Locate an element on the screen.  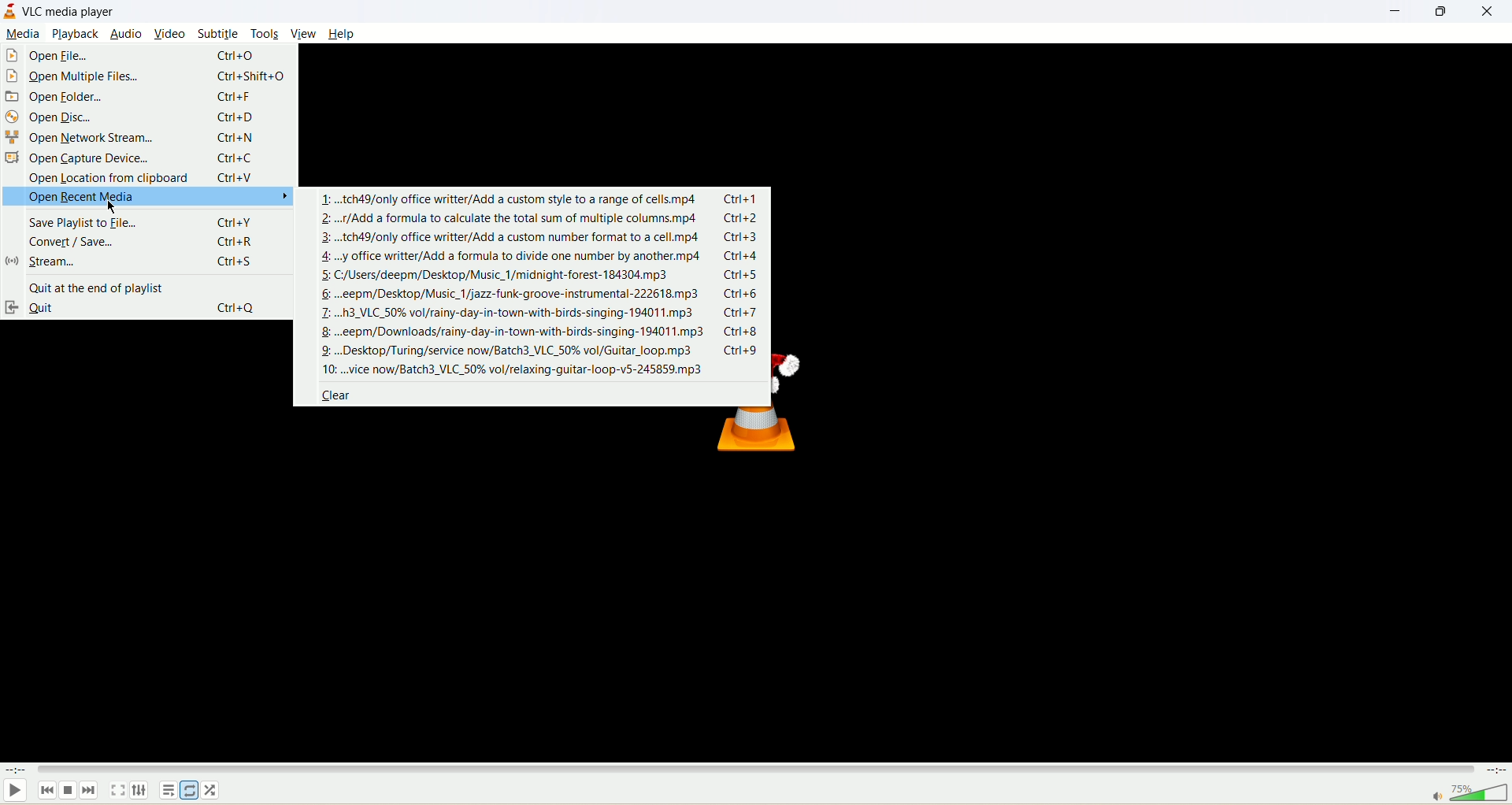
ctrl+Q is located at coordinates (235, 308).